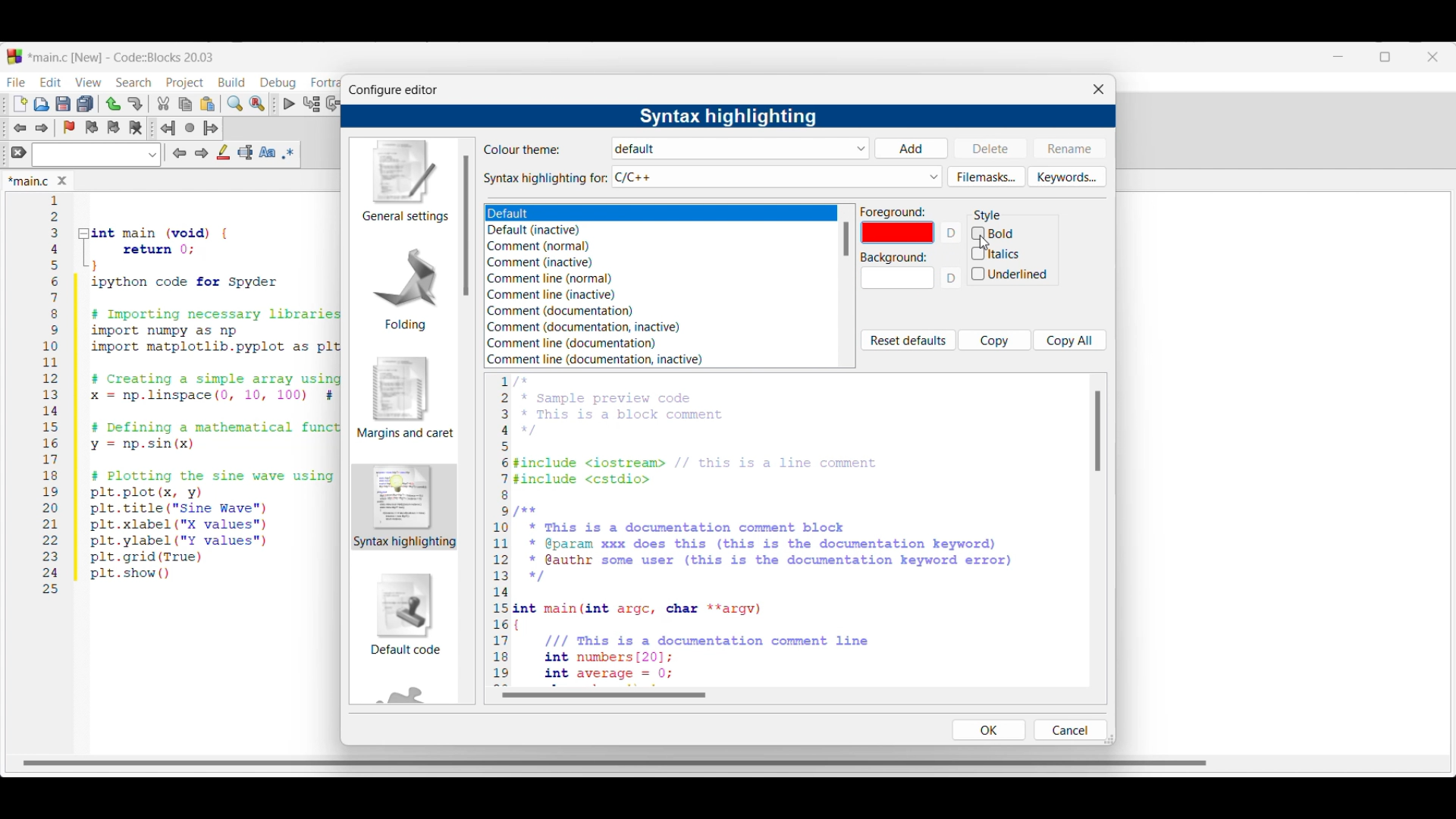  Describe the element at coordinates (91, 127) in the screenshot. I see `Previous bookmark` at that location.